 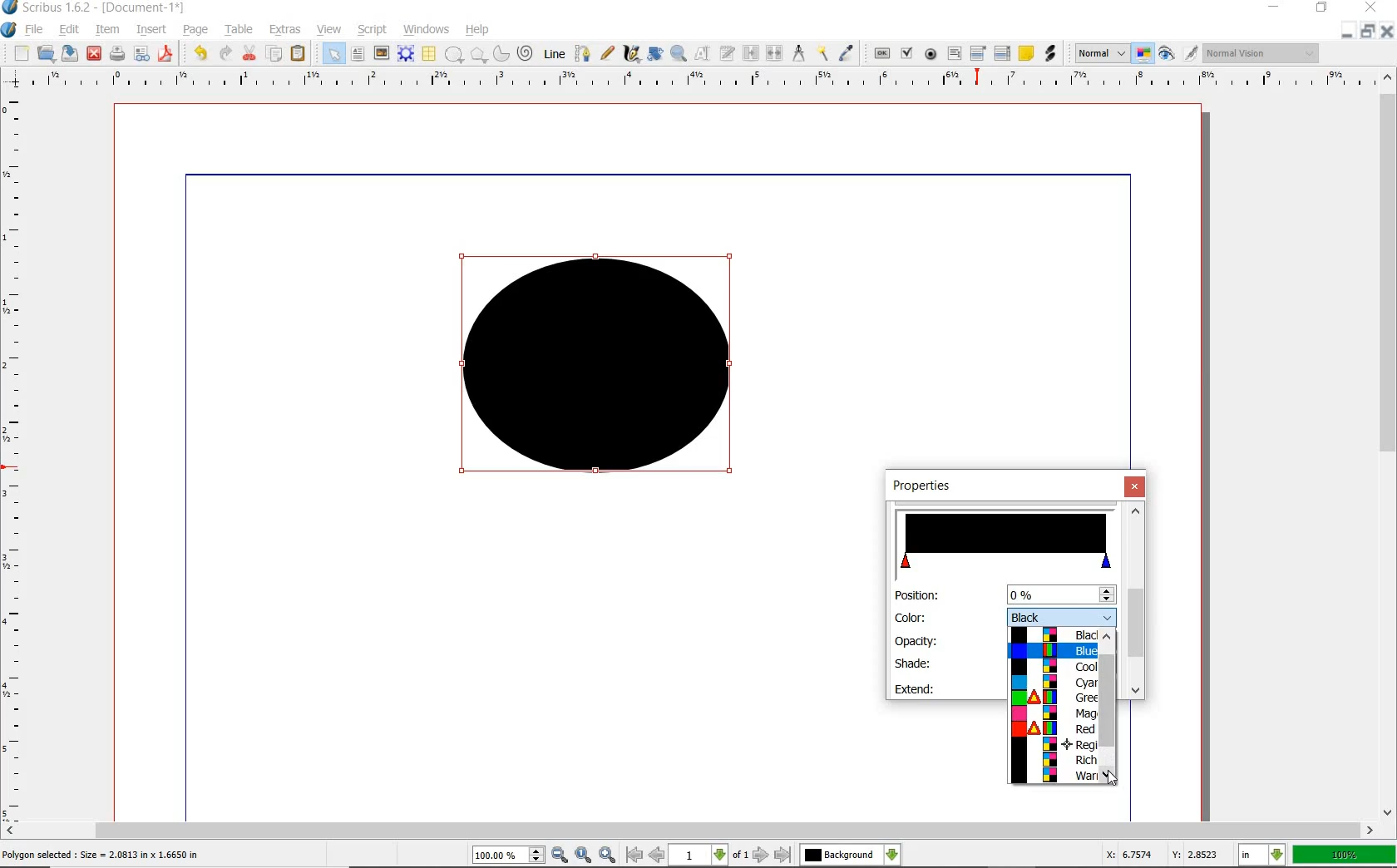 What do you see at coordinates (798, 54) in the screenshot?
I see `MEASUREMENTS` at bounding box center [798, 54].